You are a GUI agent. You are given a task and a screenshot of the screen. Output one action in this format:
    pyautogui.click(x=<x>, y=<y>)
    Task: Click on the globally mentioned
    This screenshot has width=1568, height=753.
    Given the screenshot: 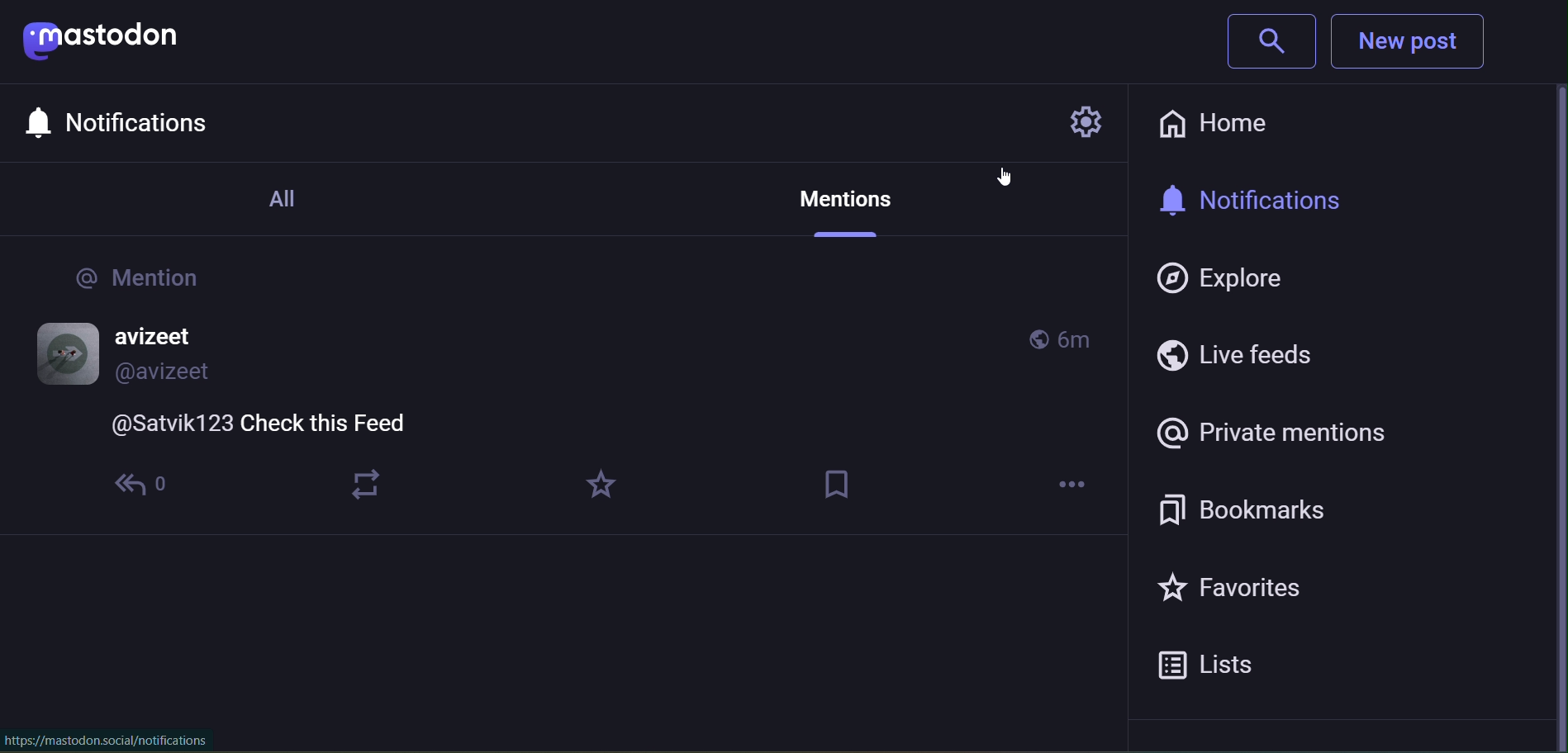 What is the action you would take?
    pyautogui.click(x=1030, y=338)
    